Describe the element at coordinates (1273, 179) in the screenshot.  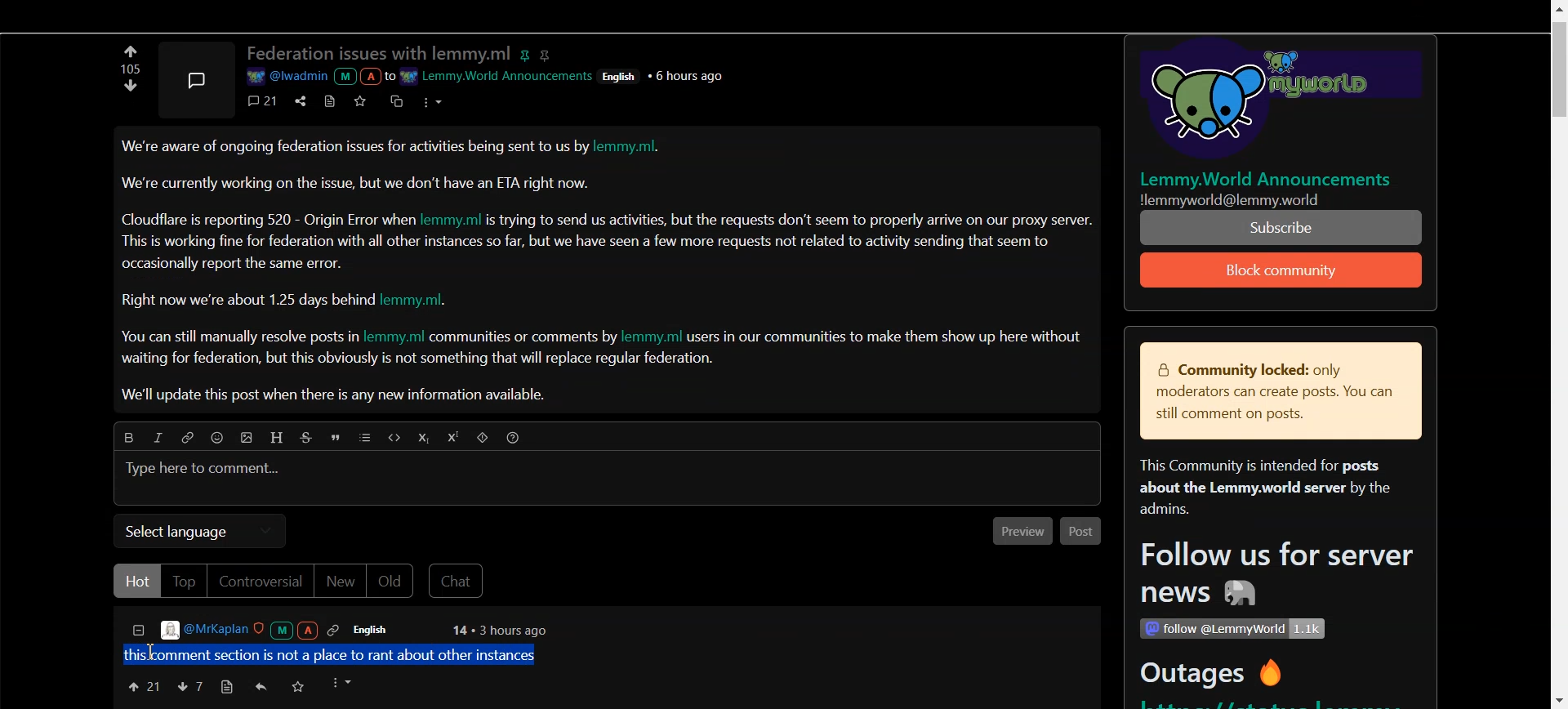
I see `| Lemmy.World Announcements` at that location.